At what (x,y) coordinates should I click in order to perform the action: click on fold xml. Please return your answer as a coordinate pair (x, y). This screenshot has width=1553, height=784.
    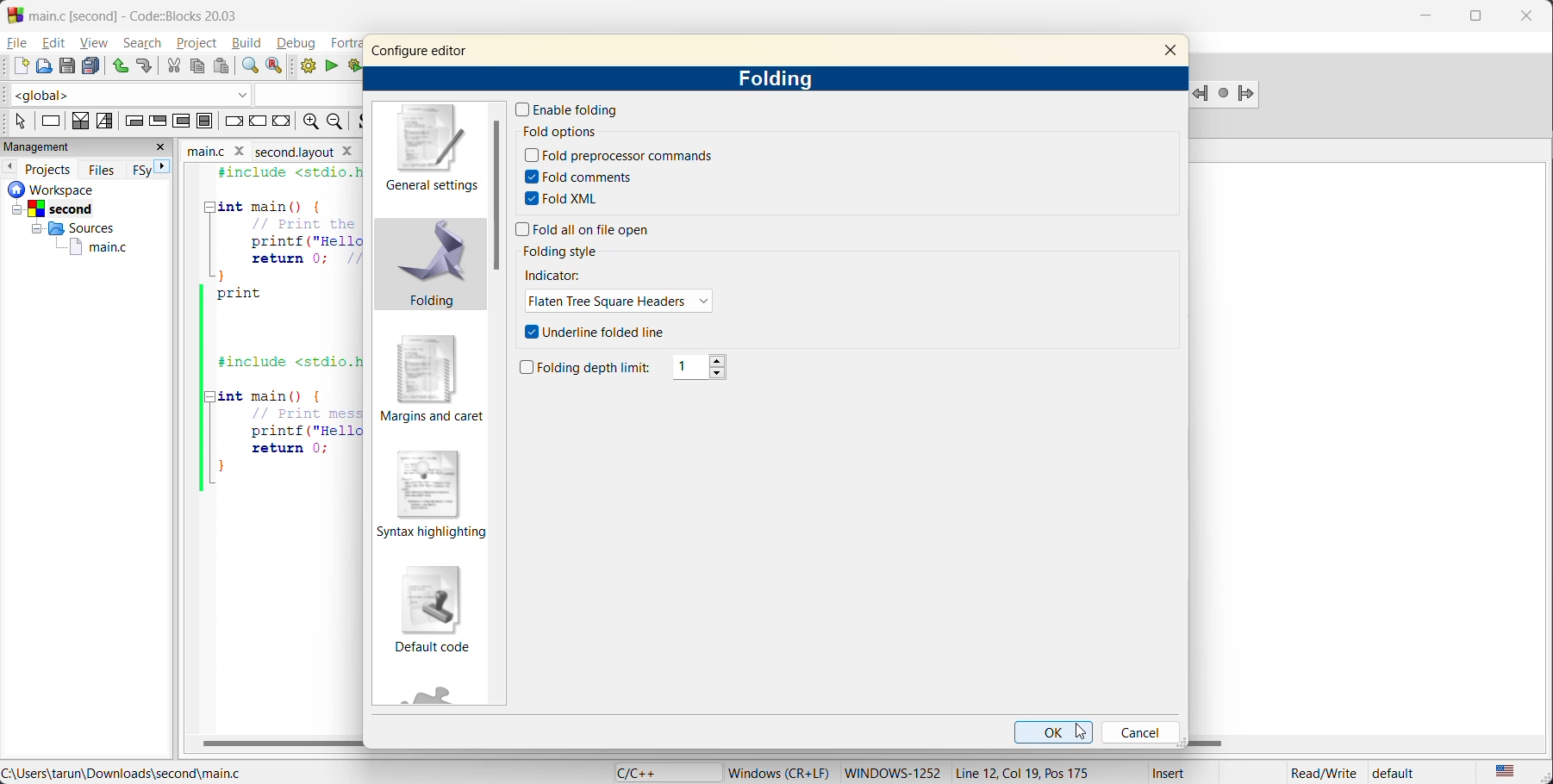
    Looking at the image, I should click on (571, 199).